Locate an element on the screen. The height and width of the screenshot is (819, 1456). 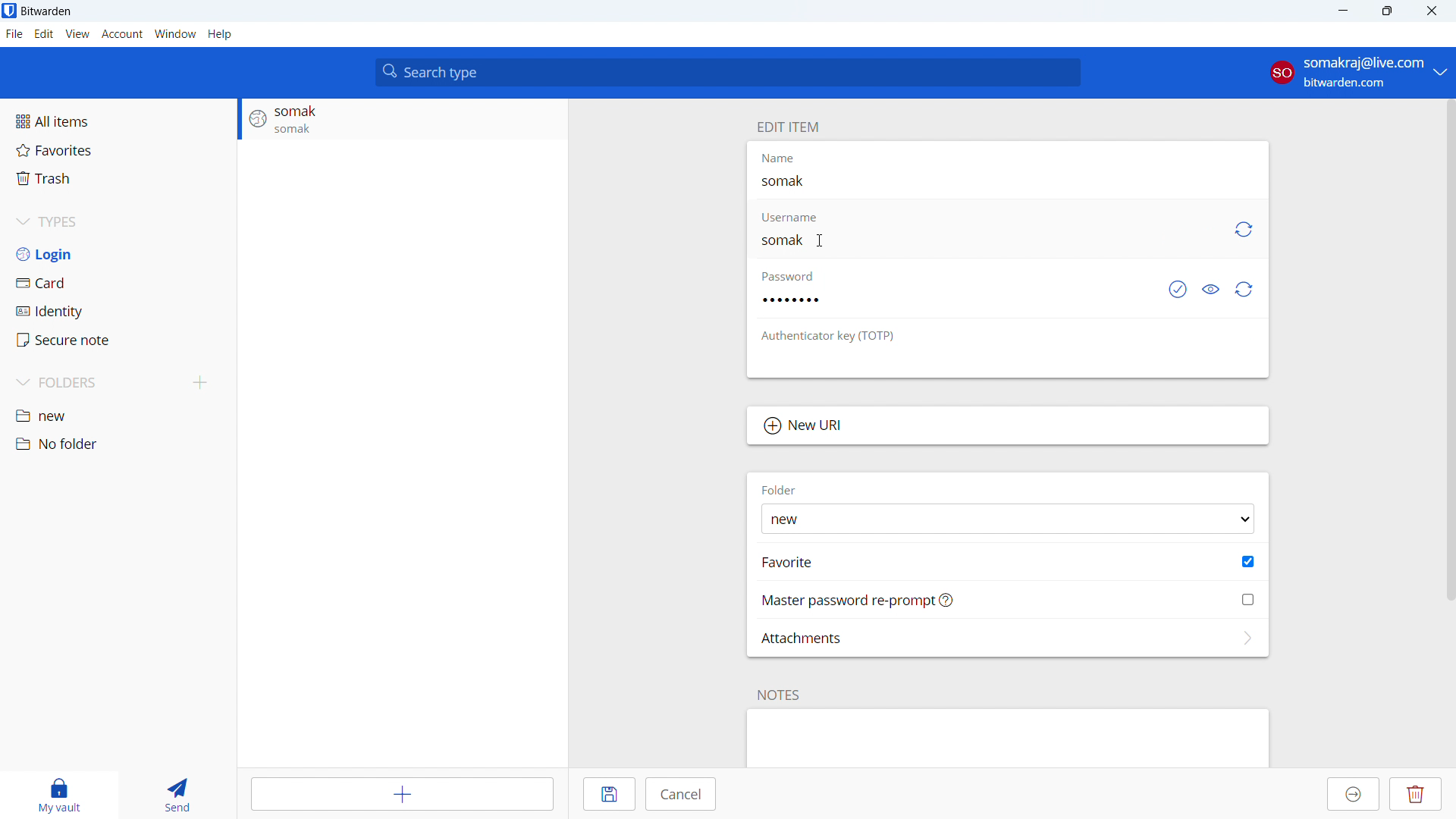
search type is located at coordinates (728, 72).